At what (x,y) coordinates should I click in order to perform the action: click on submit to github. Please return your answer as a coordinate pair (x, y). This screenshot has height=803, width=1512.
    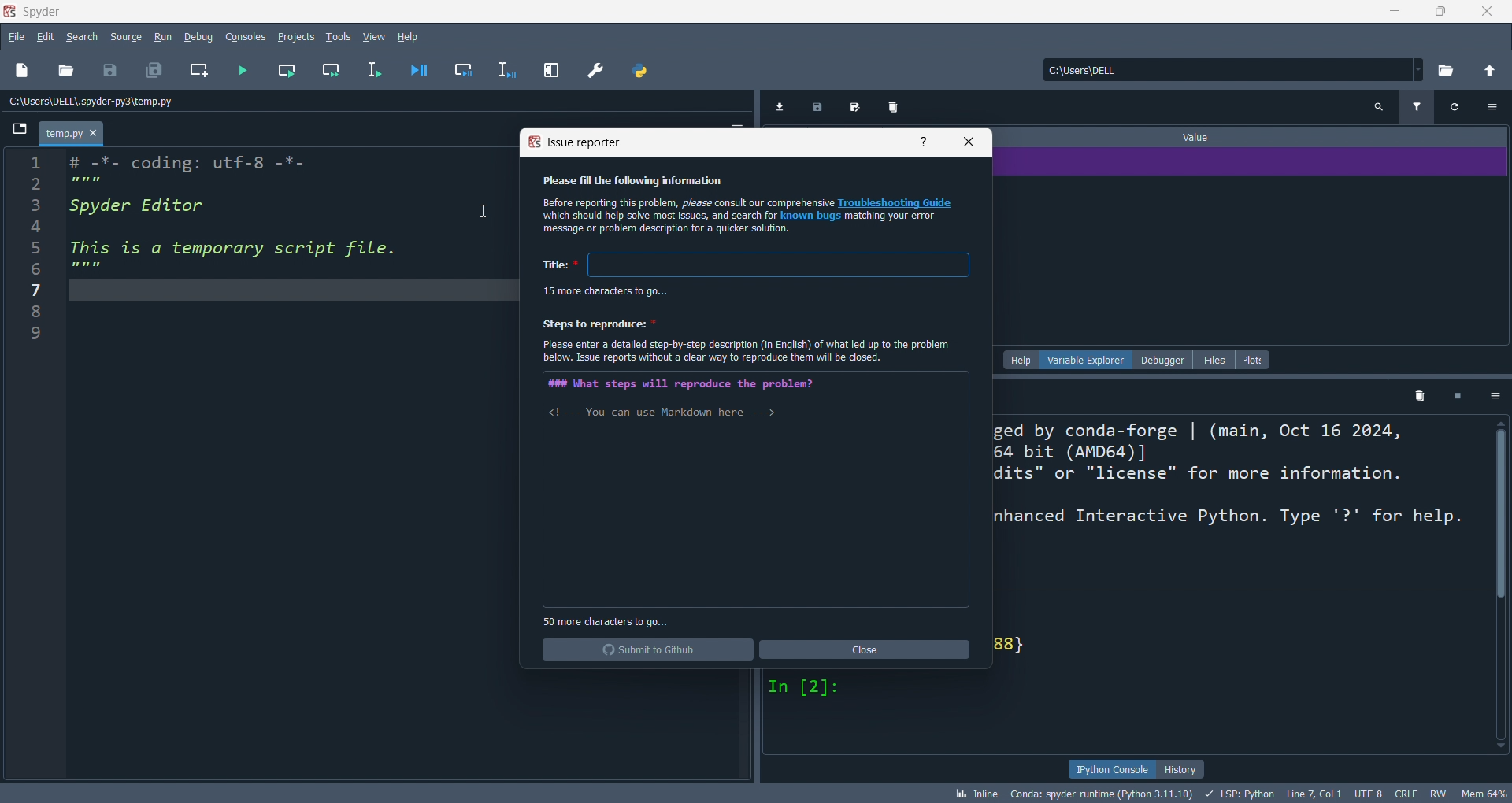
    Looking at the image, I should click on (647, 649).